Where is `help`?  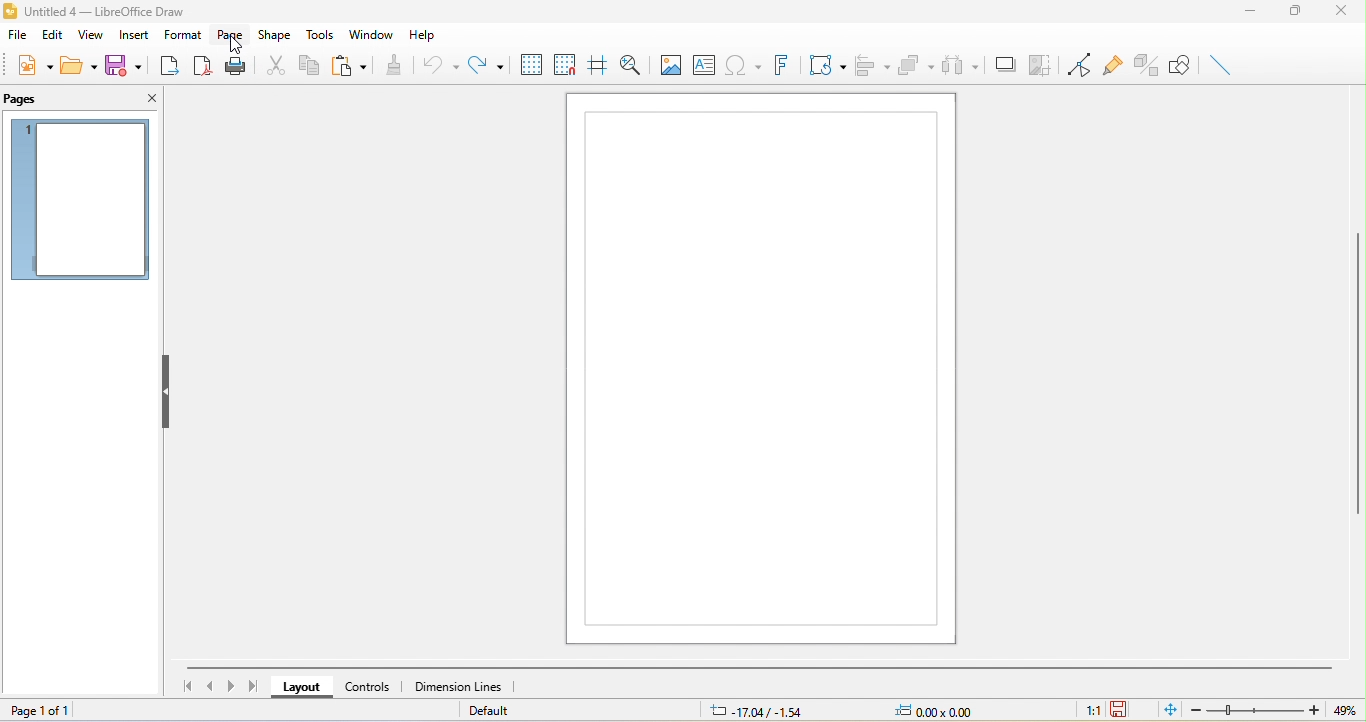
help is located at coordinates (425, 35).